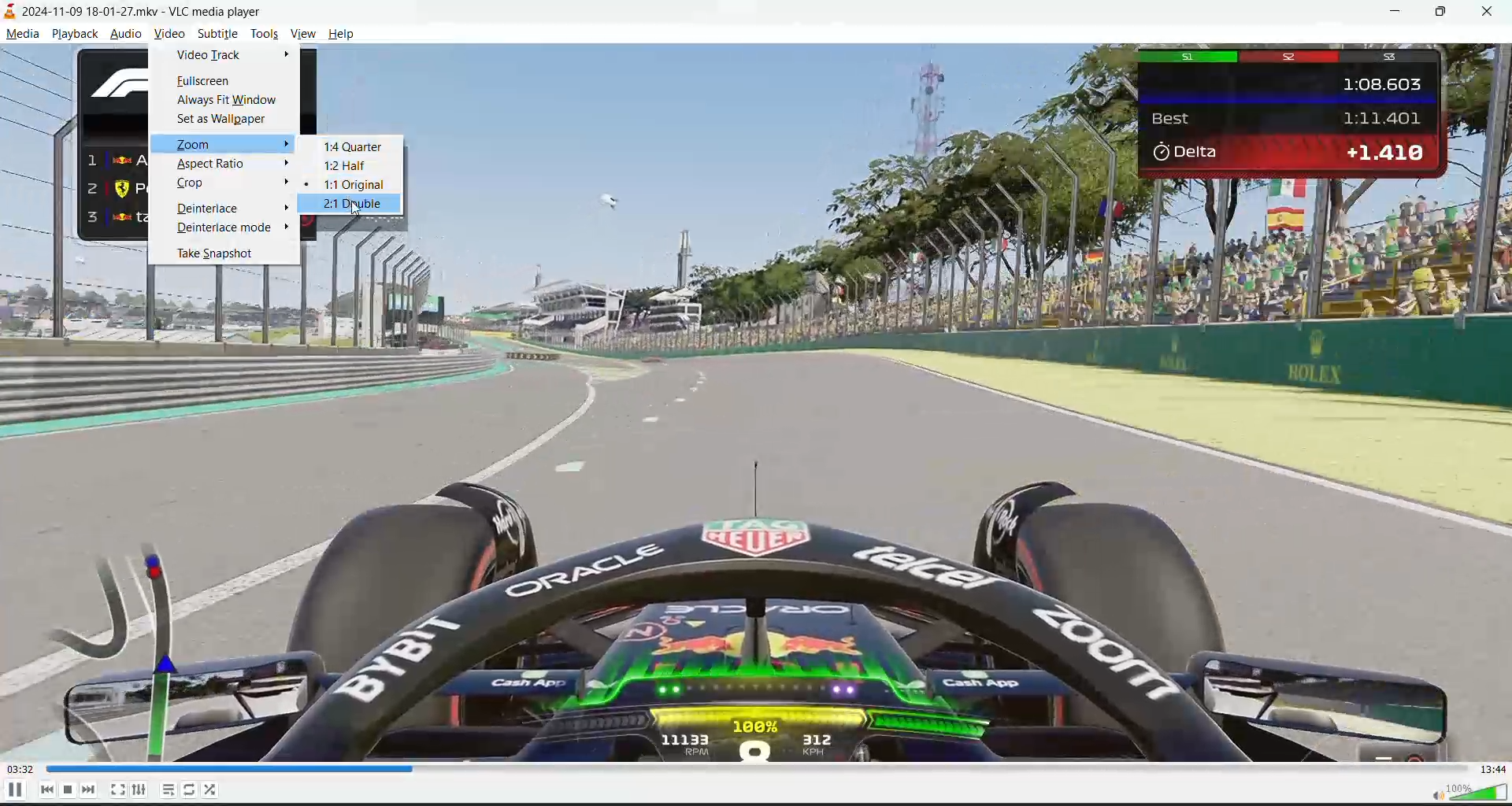 This screenshot has width=1512, height=806. What do you see at coordinates (222, 101) in the screenshot?
I see `always fit window` at bounding box center [222, 101].